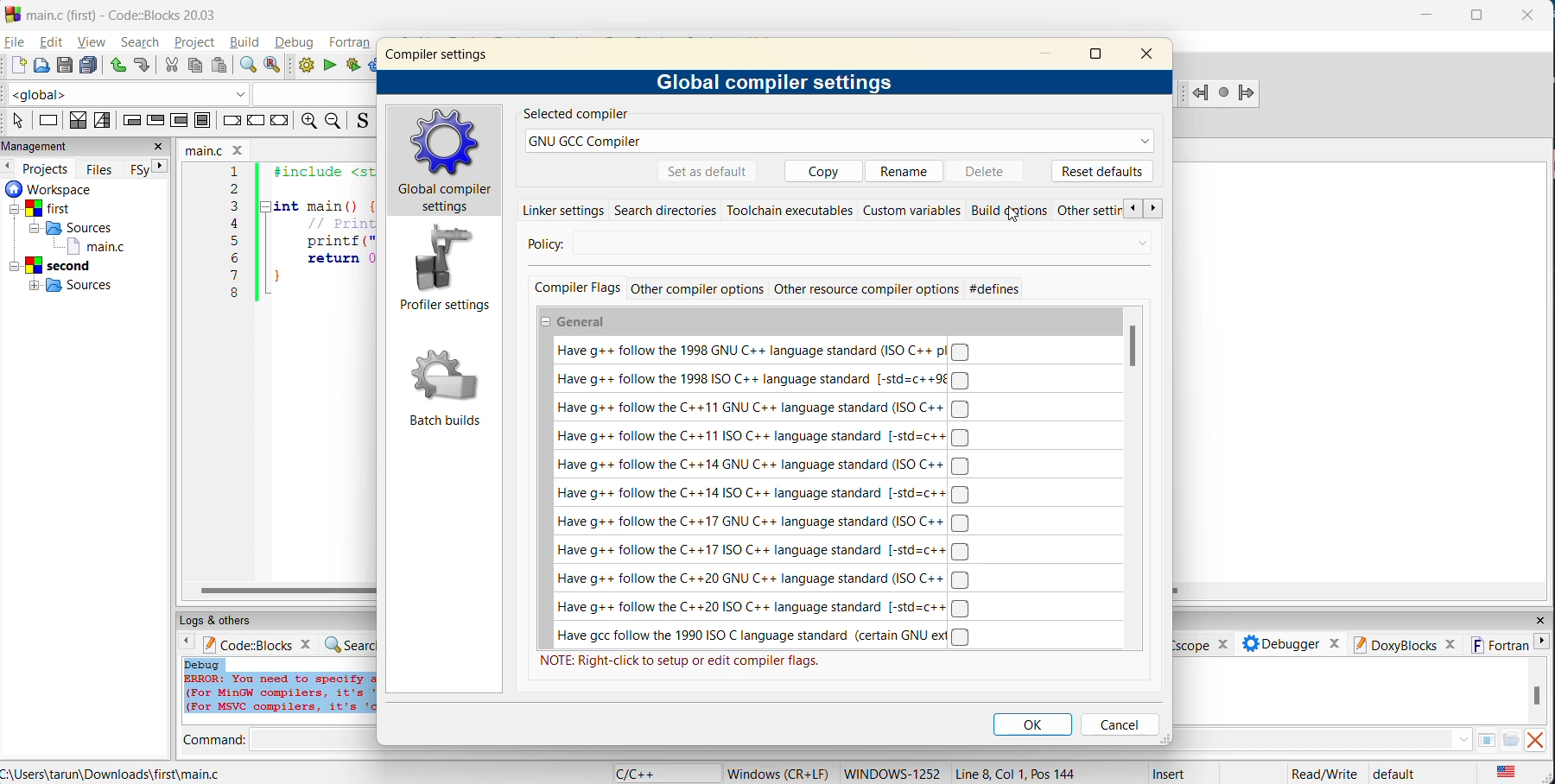  What do you see at coordinates (1100, 53) in the screenshot?
I see `maximize` at bounding box center [1100, 53].